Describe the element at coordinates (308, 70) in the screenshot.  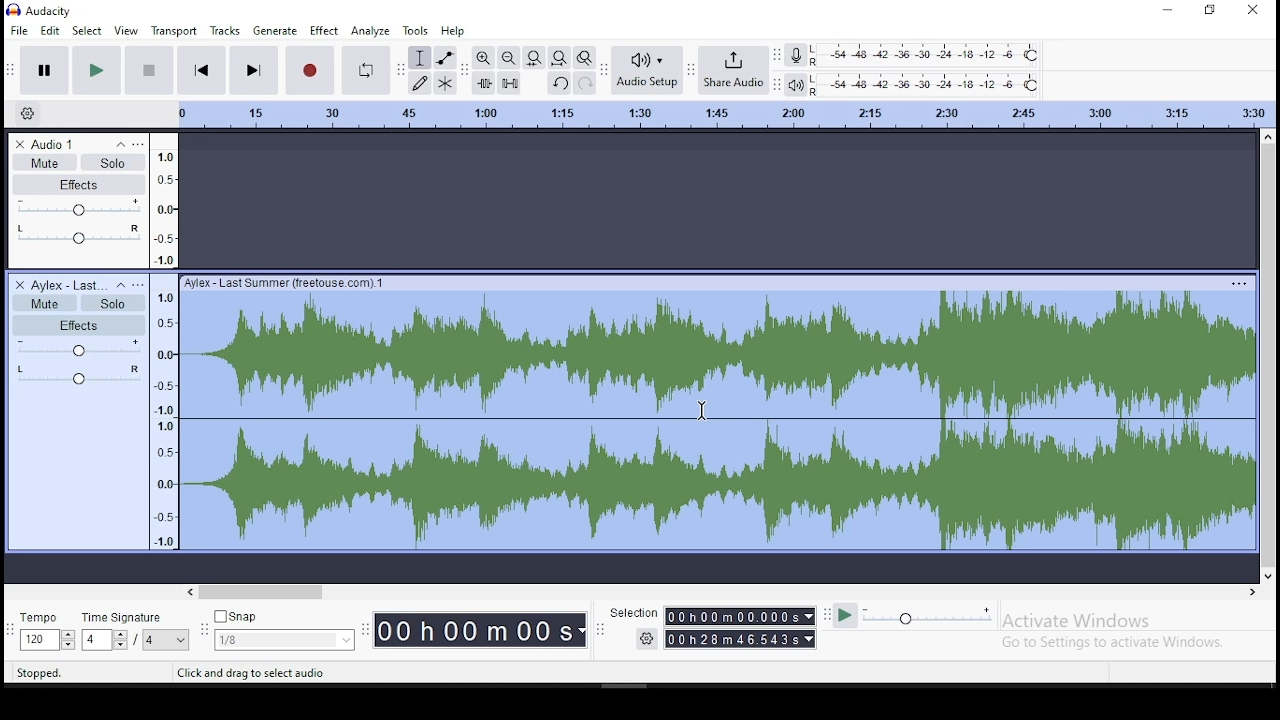
I see `stop recording` at that location.